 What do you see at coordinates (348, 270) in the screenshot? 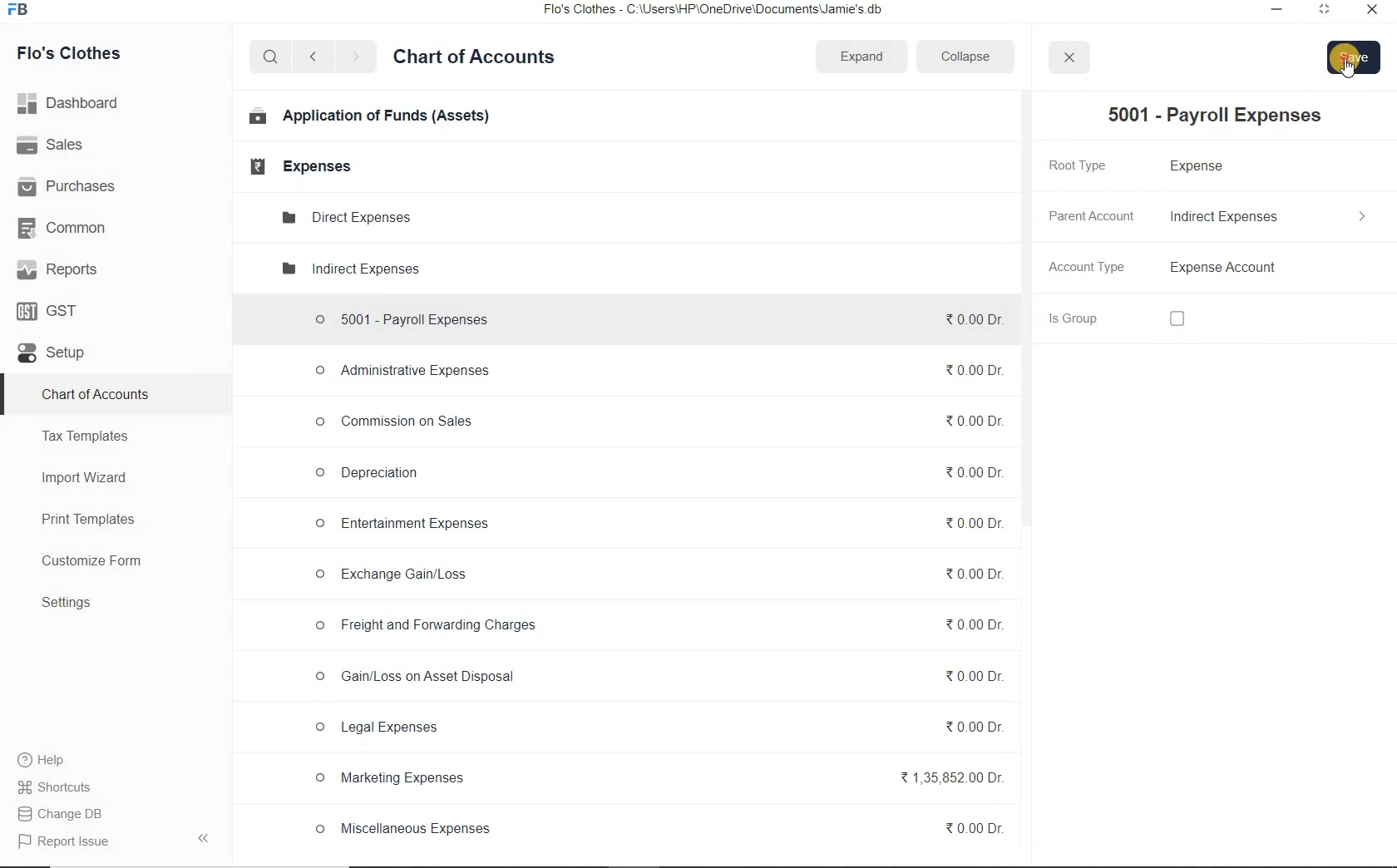
I see `Indirect expenses` at bounding box center [348, 270].